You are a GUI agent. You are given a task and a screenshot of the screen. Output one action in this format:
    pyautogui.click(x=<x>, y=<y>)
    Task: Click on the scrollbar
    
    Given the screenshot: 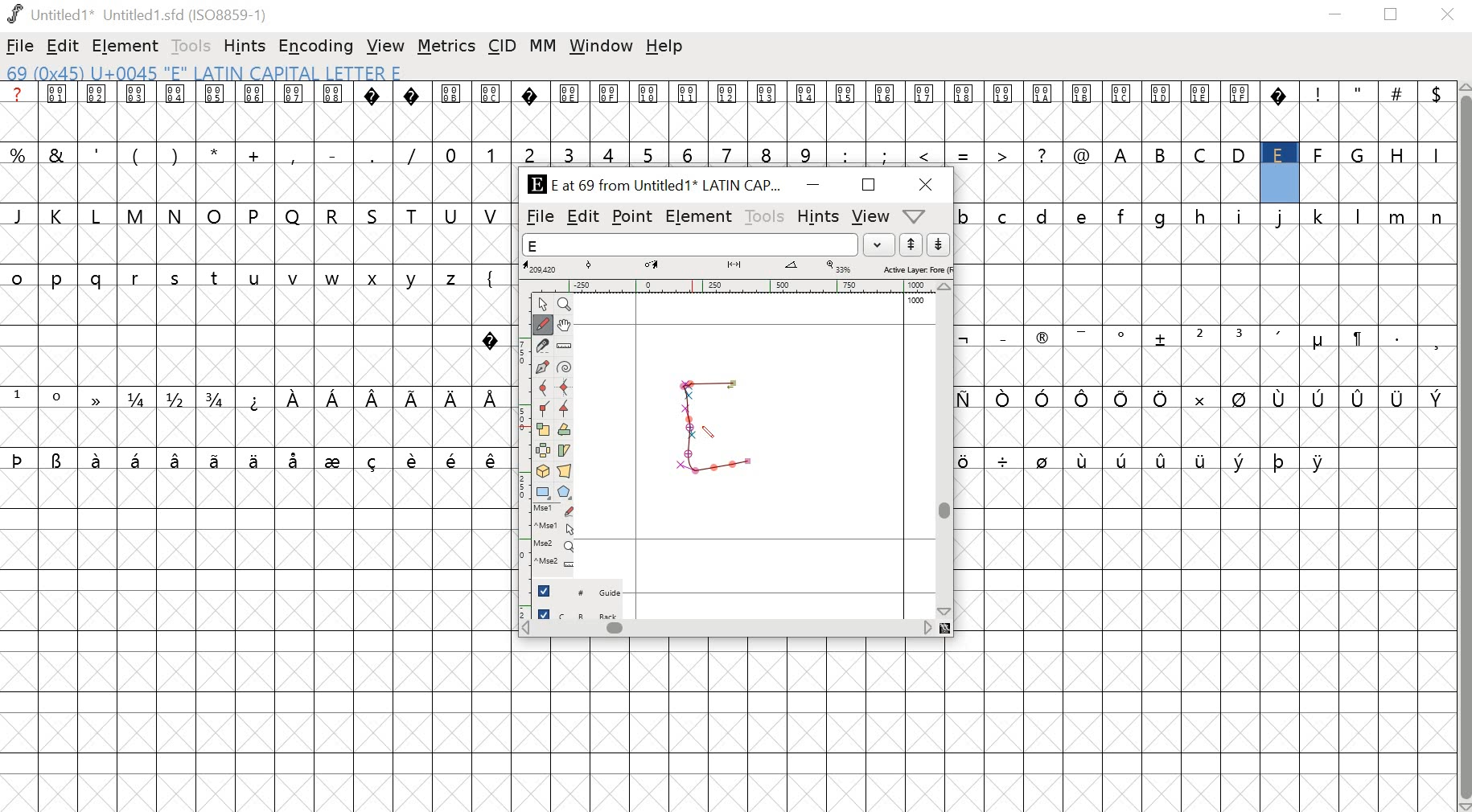 What is the action you would take?
    pyautogui.click(x=734, y=630)
    